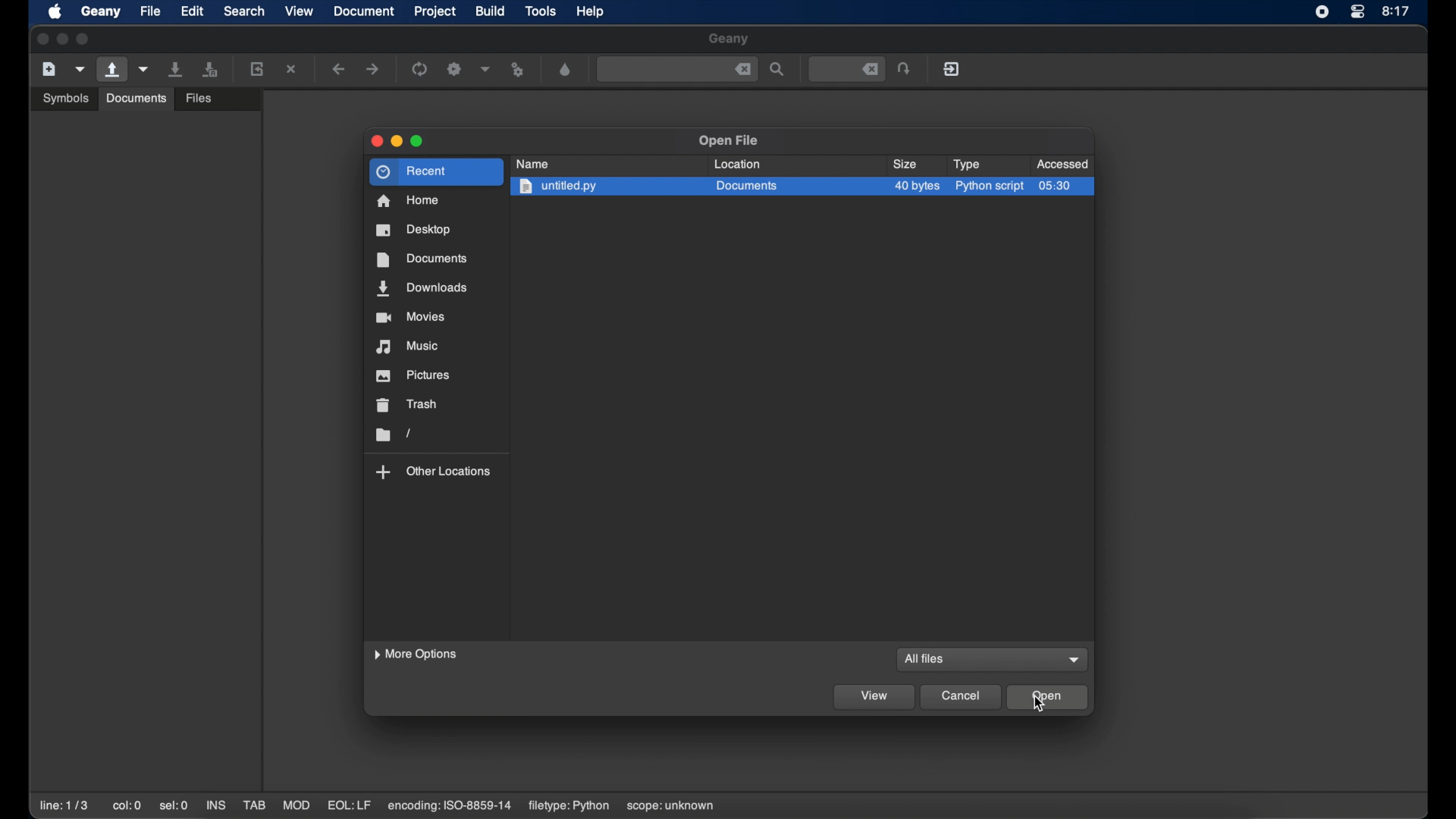  What do you see at coordinates (728, 39) in the screenshot?
I see `geany` at bounding box center [728, 39].